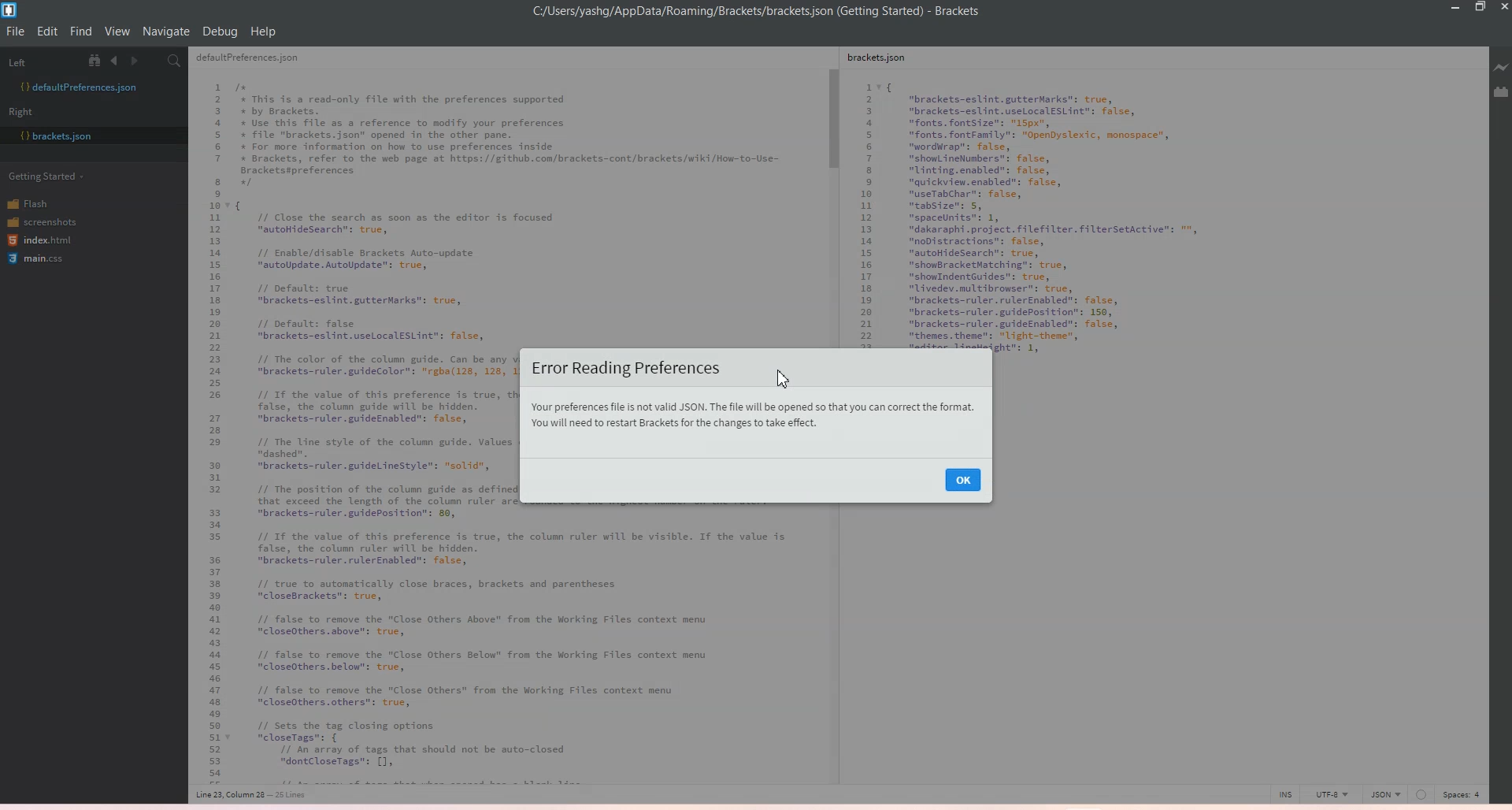 This screenshot has width=1512, height=810. What do you see at coordinates (884, 60) in the screenshot?
I see `brackets.json` at bounding box center [884, 60].